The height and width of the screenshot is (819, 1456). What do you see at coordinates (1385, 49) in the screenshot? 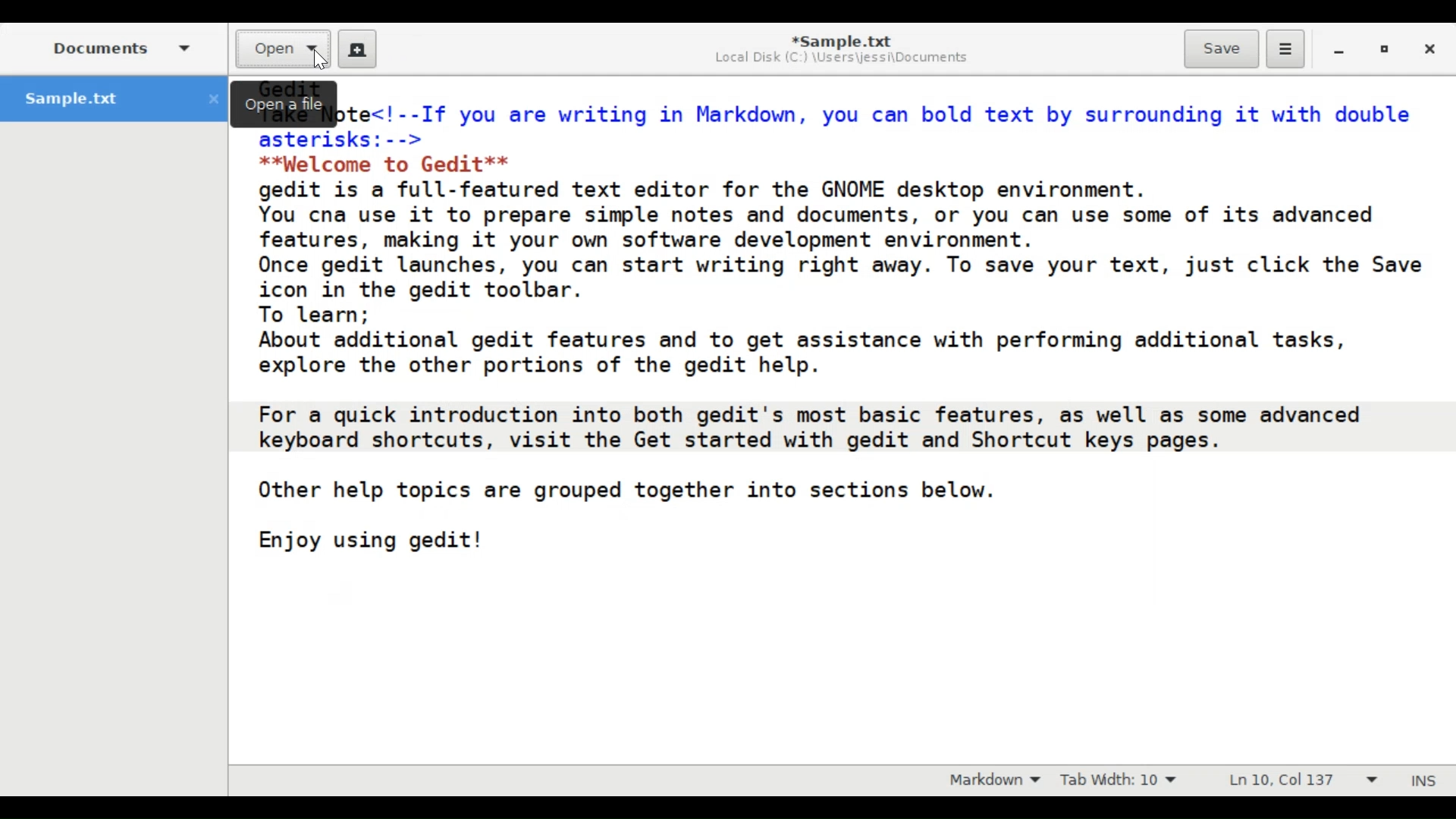
I see `Restore` at bounding box center [1385, 49].